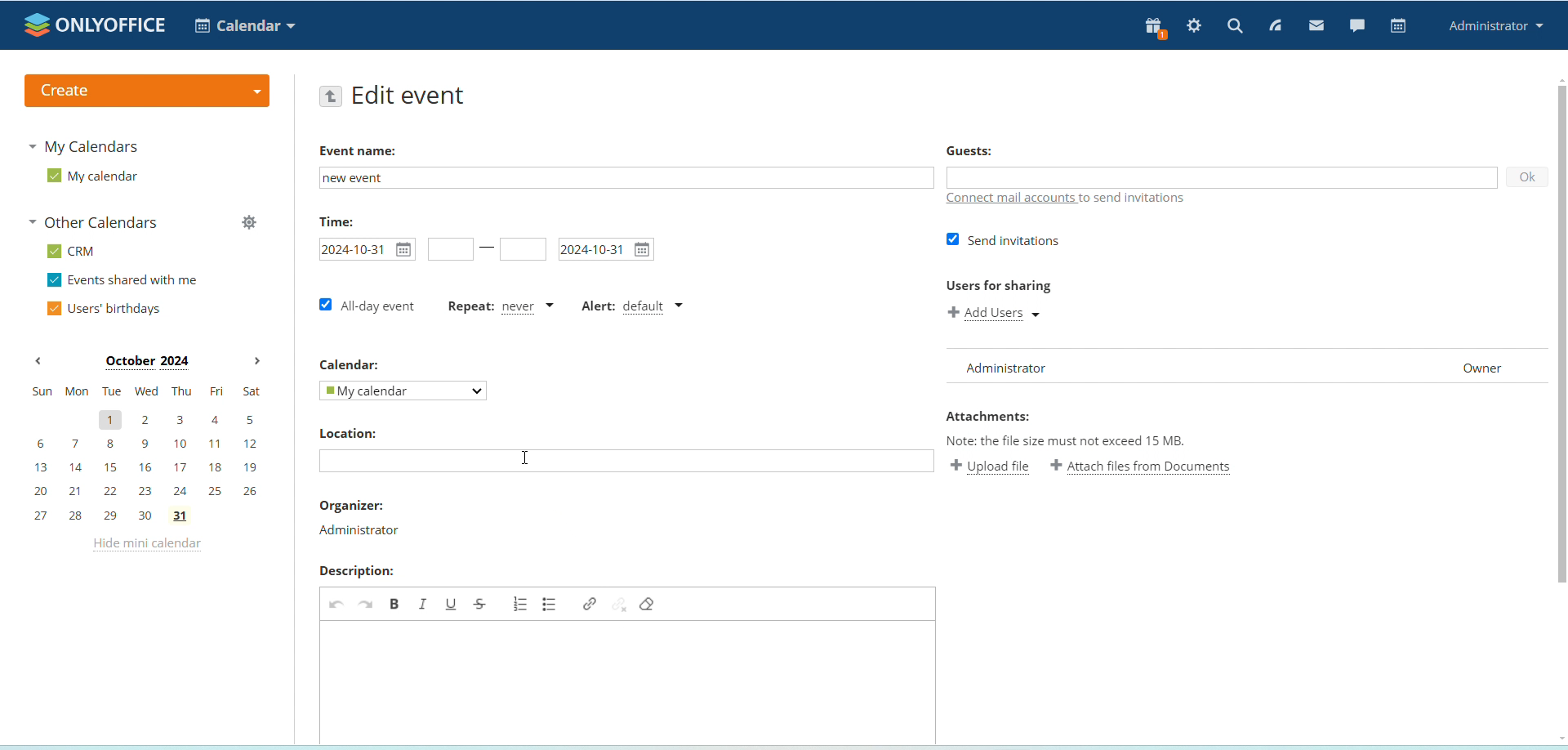  What do you see at coordinates (423, 603) in the screenshot?
I see `italic` at bounding box center [423, 603].